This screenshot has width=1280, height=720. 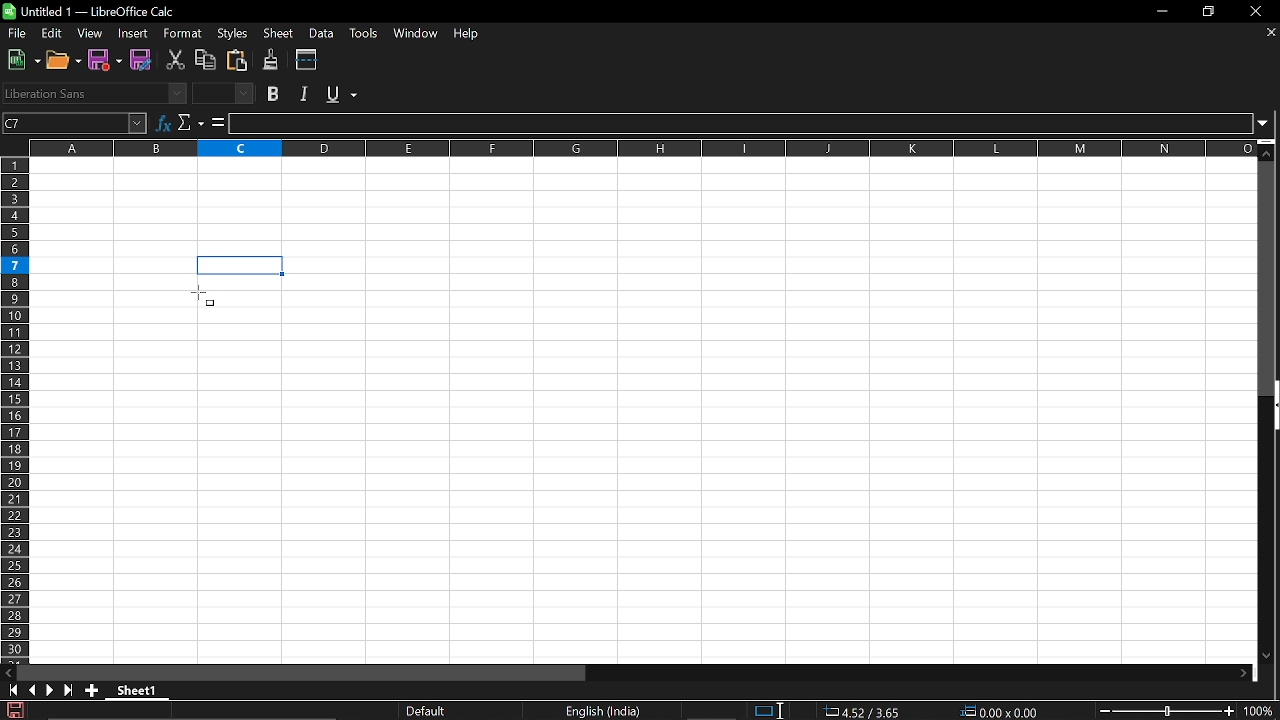 I want to click on Language, so click(x=603, y=712).